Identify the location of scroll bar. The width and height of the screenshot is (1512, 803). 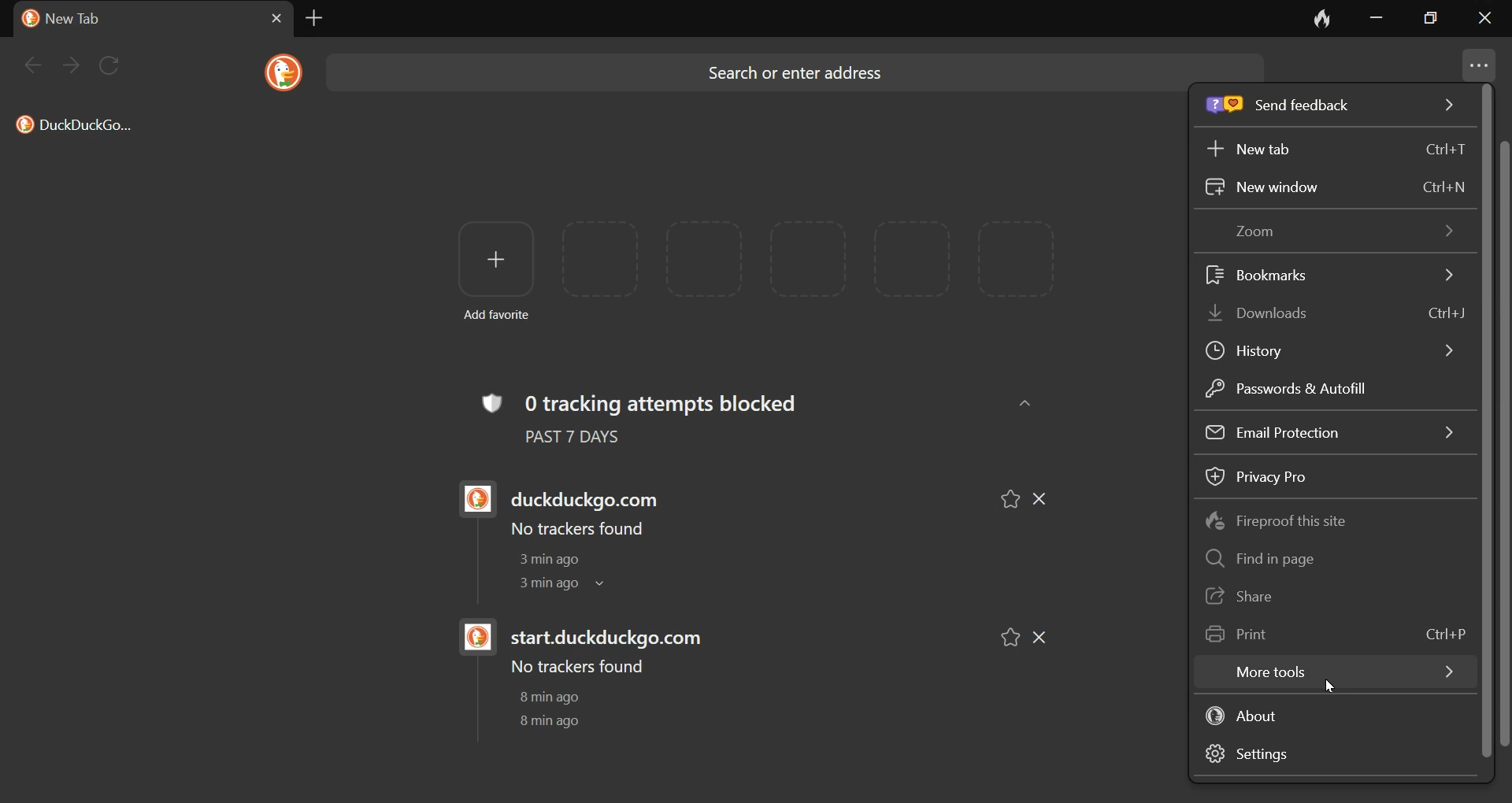
(1489, 422).